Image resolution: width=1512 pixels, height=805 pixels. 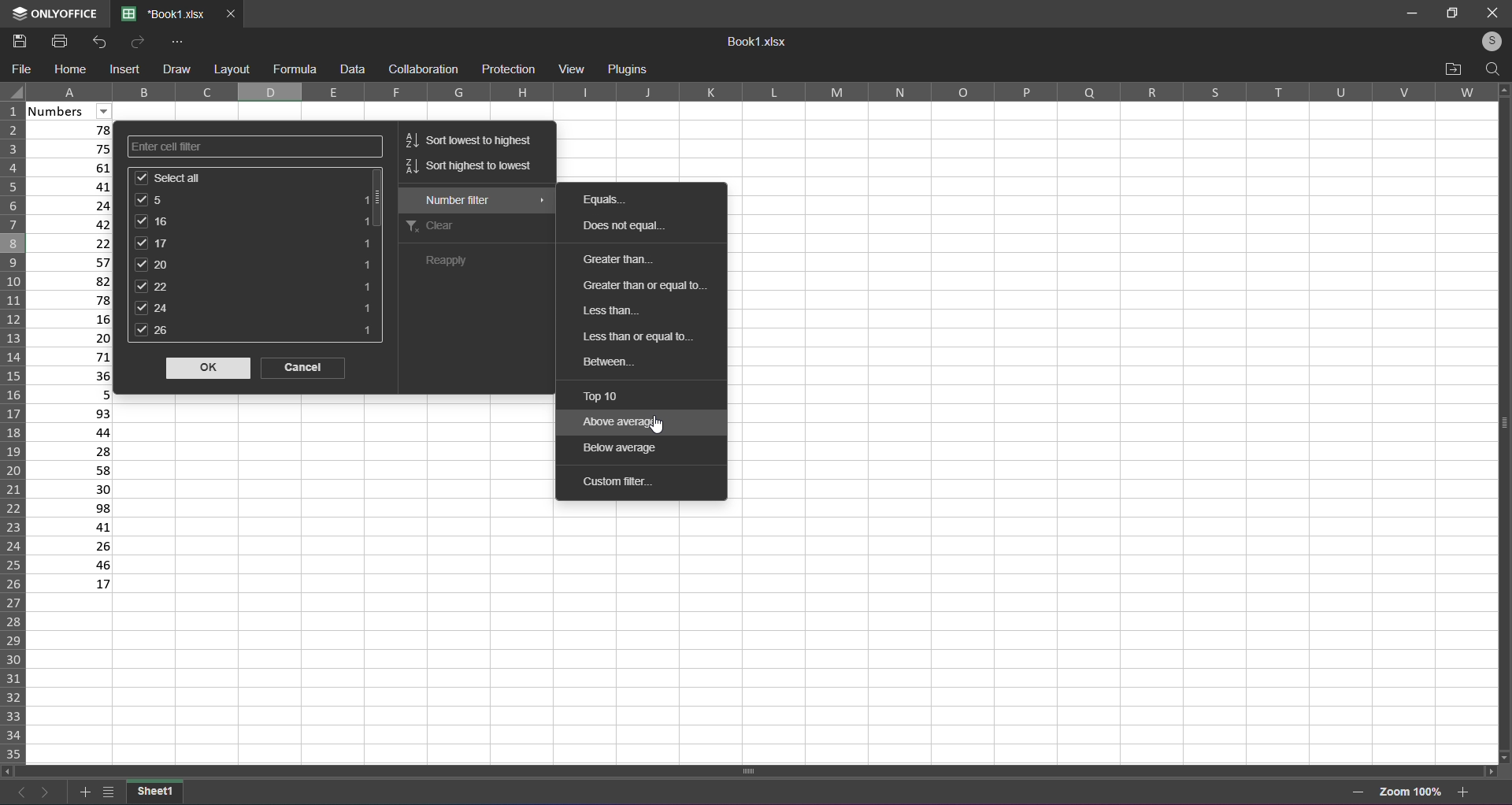 What do you see at coordinates (71, 413) in the screenshot?
I see `93` at bounding box center [71, 413].